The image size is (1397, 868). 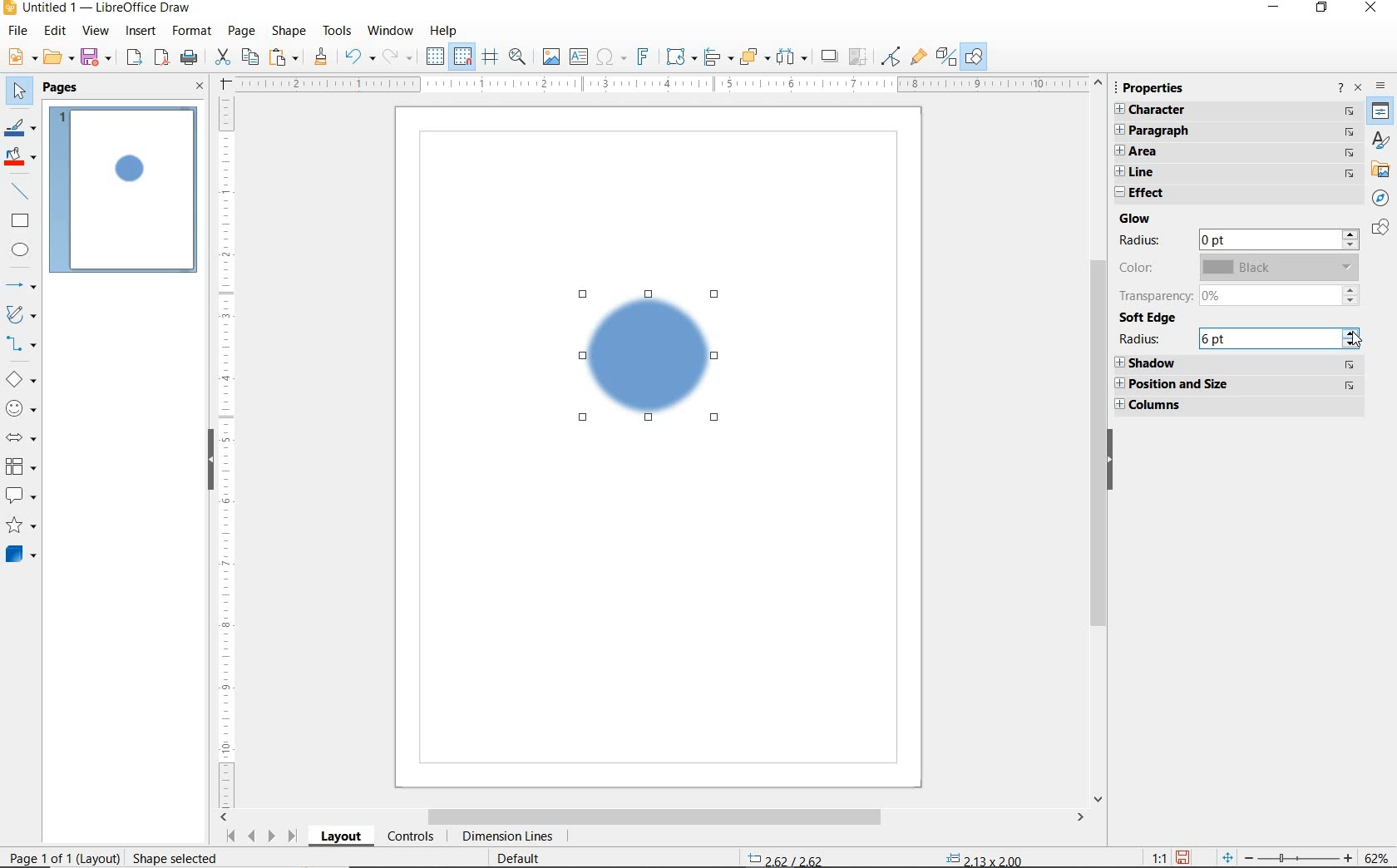 What do you see at coordinates (1358, 90) in the screenshot?
I see `CLOSE` at bounding box center [1358, 90].